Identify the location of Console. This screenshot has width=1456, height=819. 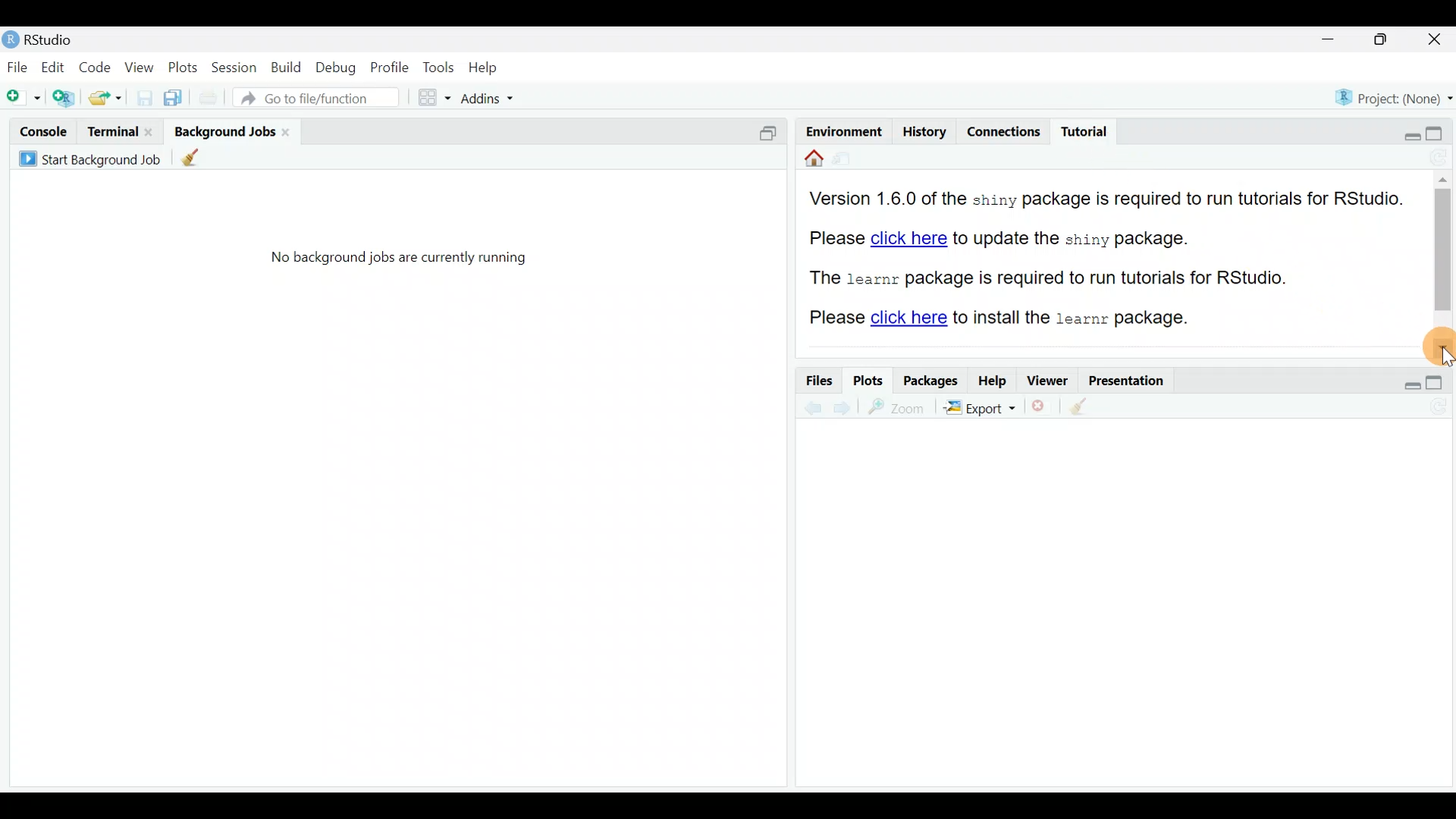
(45, 131).